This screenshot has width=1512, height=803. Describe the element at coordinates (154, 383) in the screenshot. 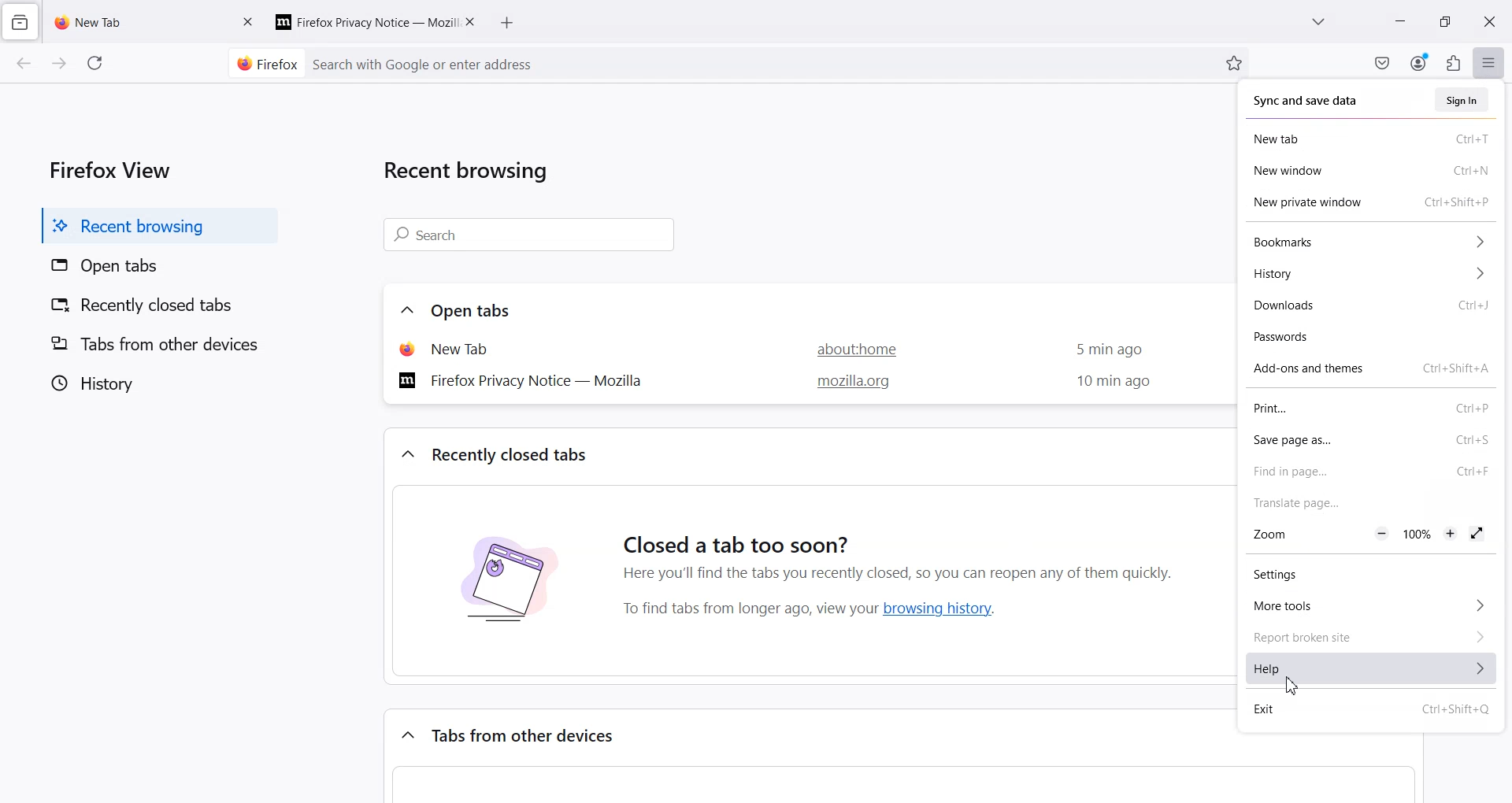

I see `History` at that location.